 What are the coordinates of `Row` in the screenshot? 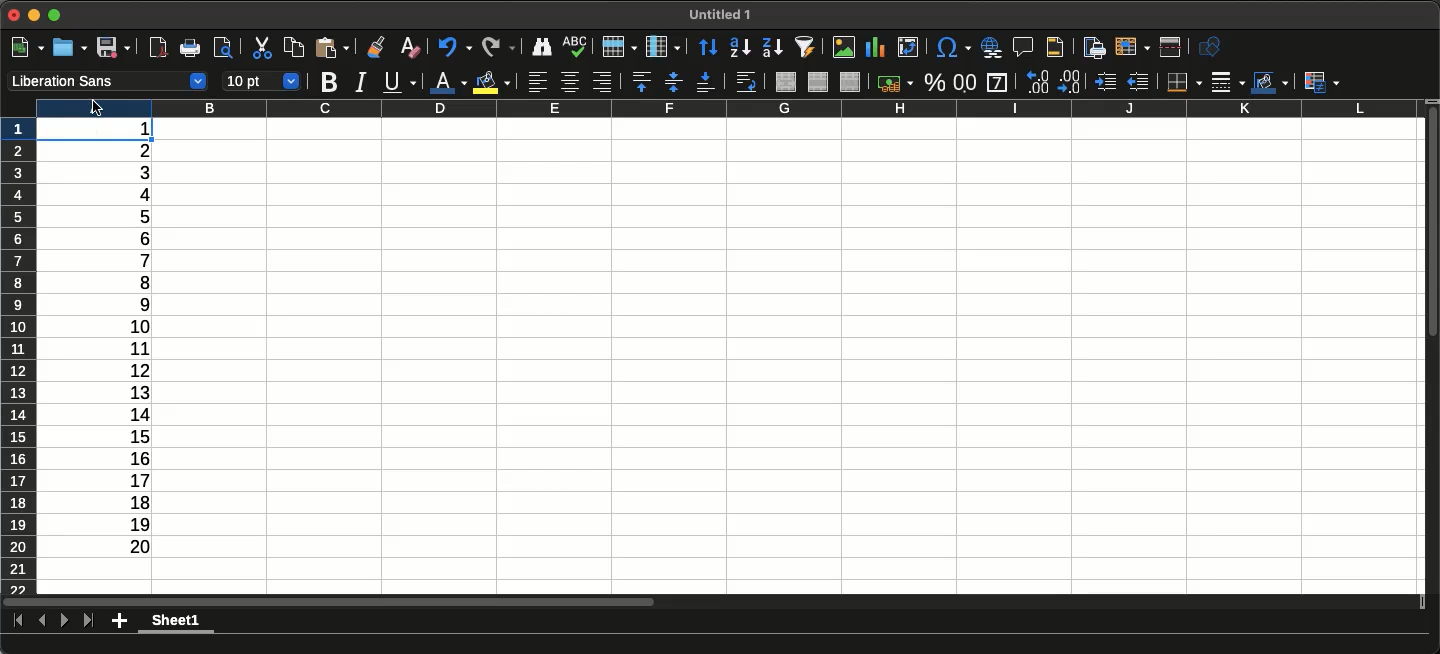 It's located at (616, 47).